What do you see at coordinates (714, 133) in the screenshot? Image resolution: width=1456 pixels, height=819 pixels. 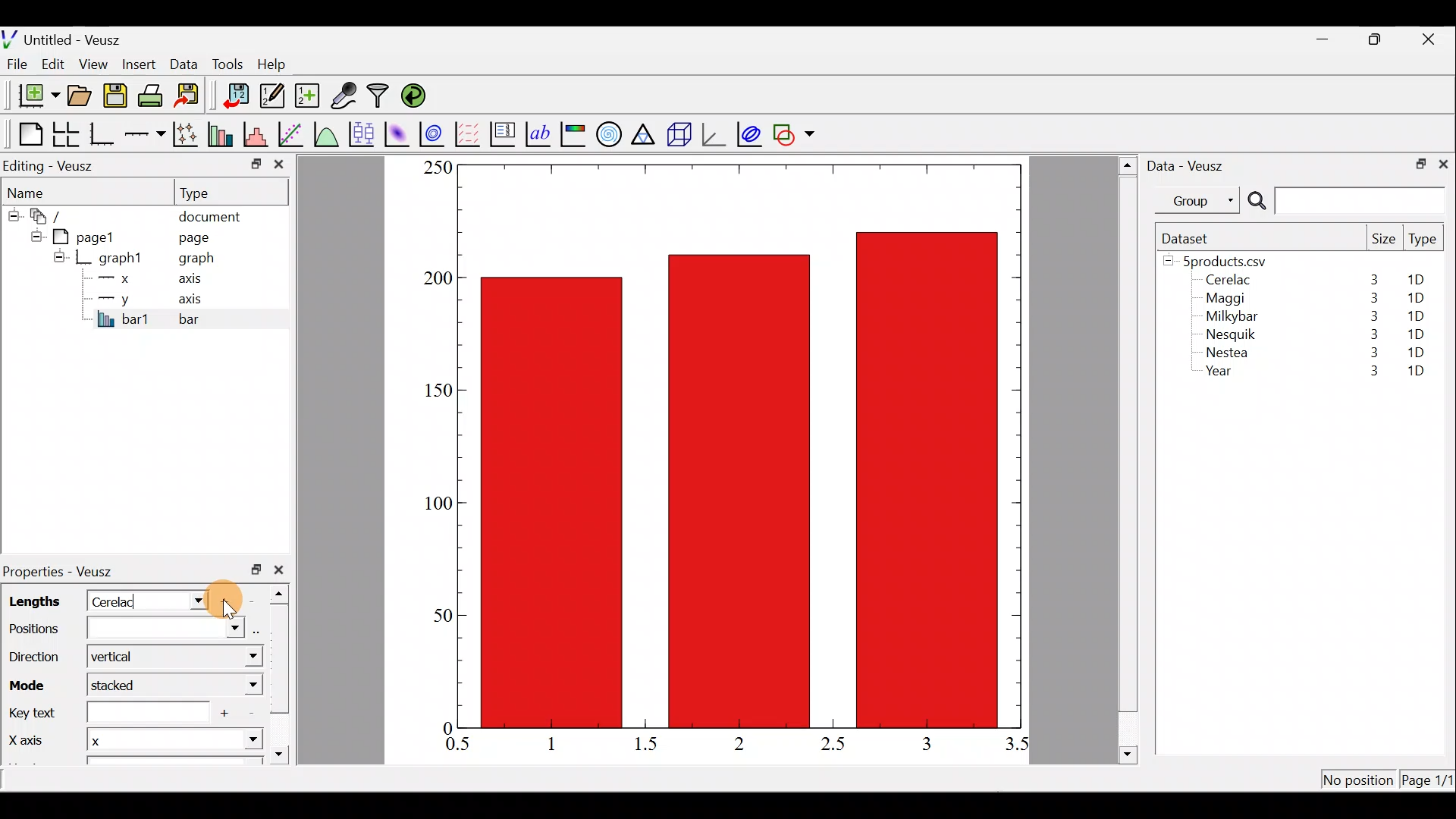 I see `3d graph` at bounding box center [714, 133].